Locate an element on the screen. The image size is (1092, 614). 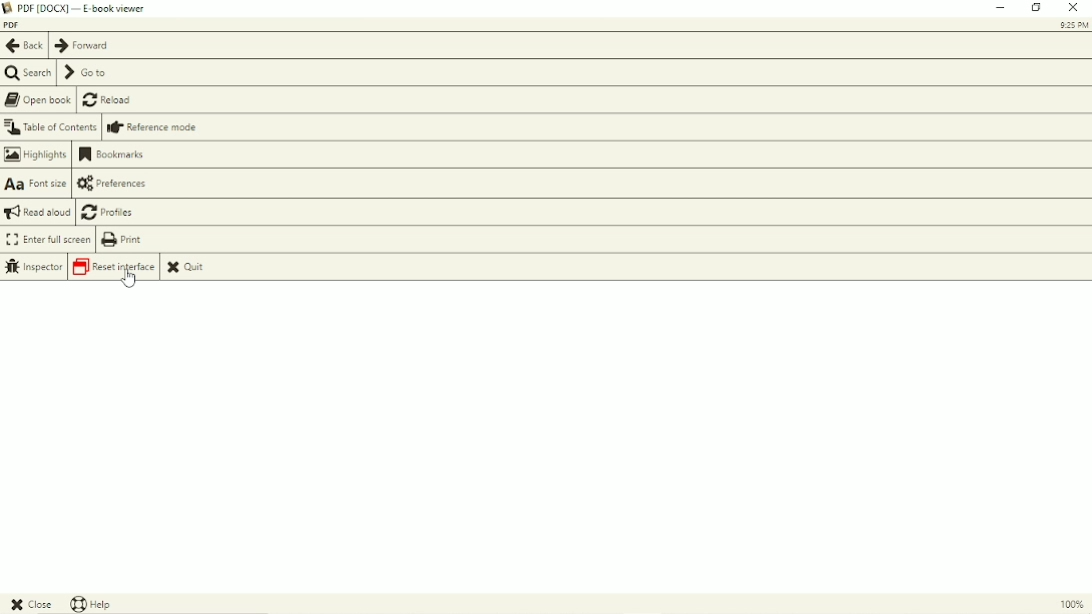
Forward is located at coordinates (81, 46).